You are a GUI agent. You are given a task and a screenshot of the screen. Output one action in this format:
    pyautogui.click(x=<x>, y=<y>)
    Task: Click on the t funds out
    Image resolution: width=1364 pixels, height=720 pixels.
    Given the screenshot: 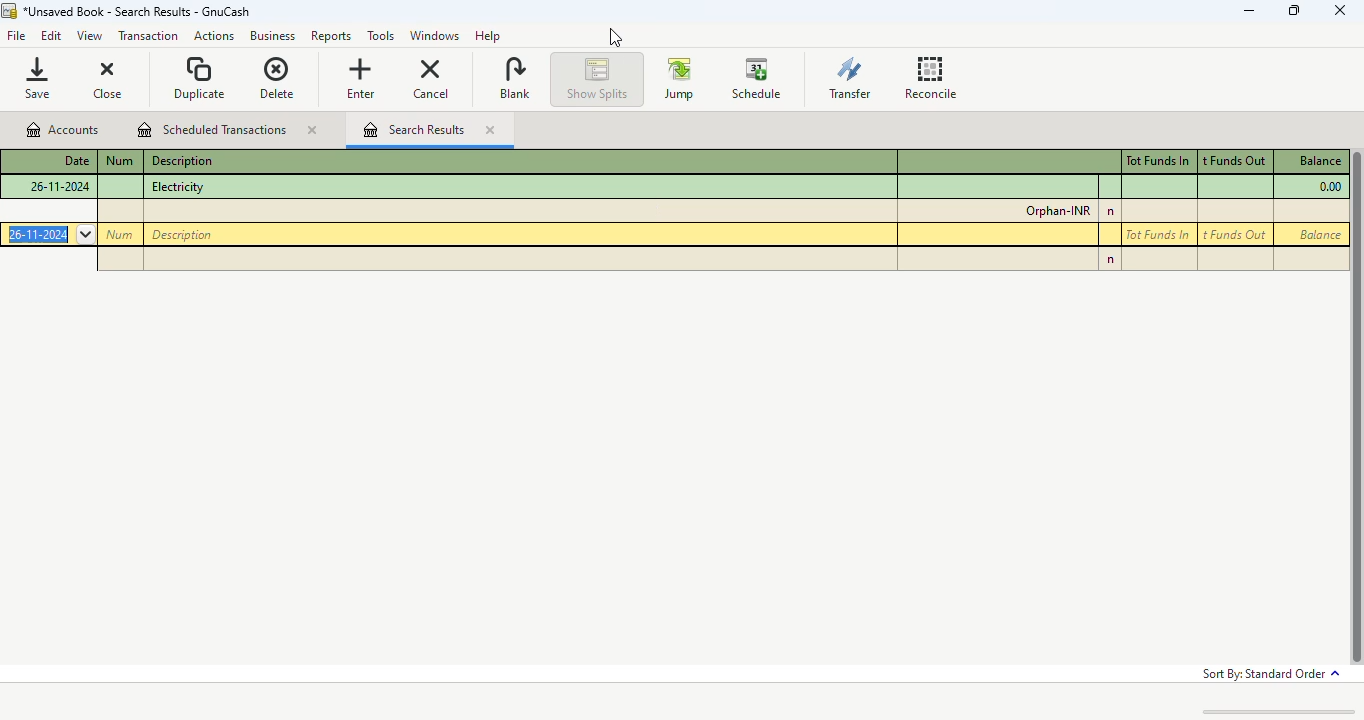 What is the action you would take?
    pyautogui.click(x=1234, y=161)
    